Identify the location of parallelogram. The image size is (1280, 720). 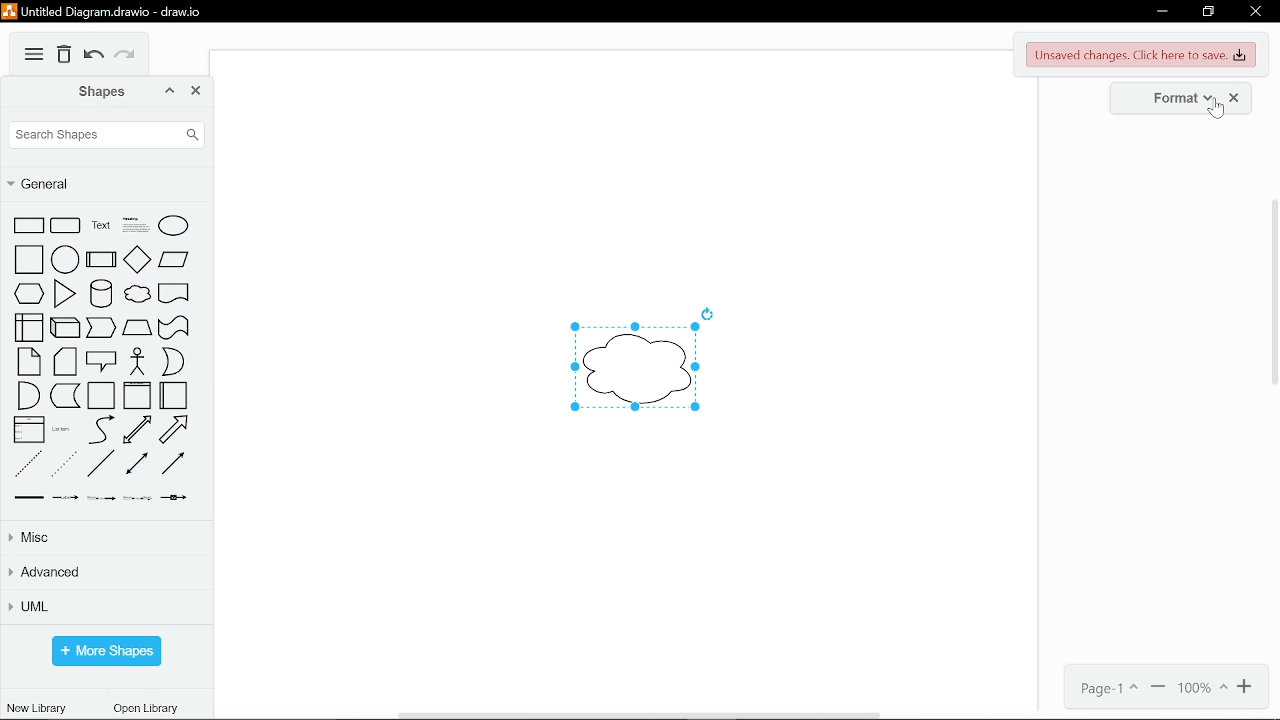
(173, 263).